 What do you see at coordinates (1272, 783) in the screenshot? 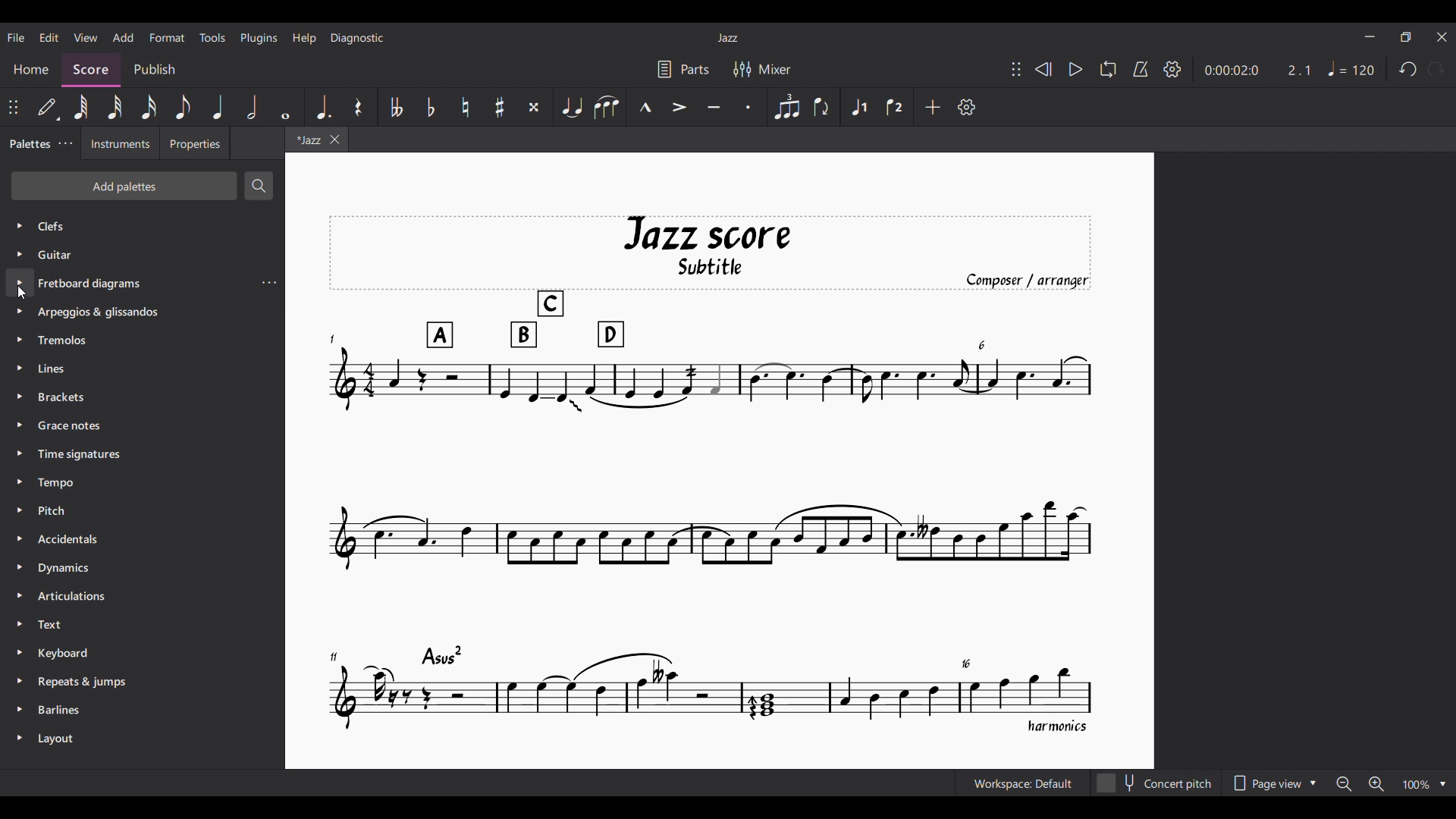
I see `Page view options` at bounding box center [1272, 783].